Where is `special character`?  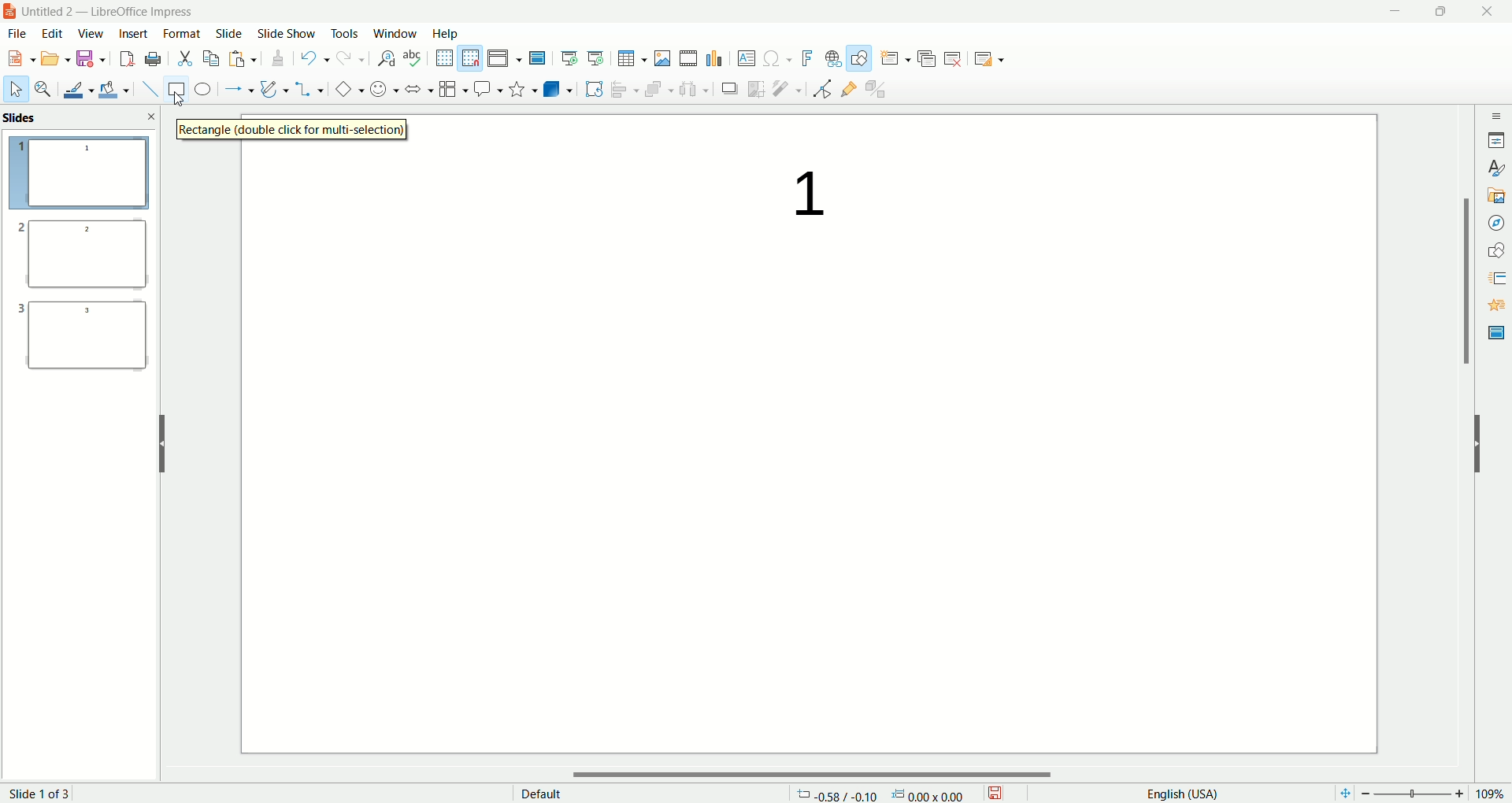
special character is located at coordinates (776, 59).